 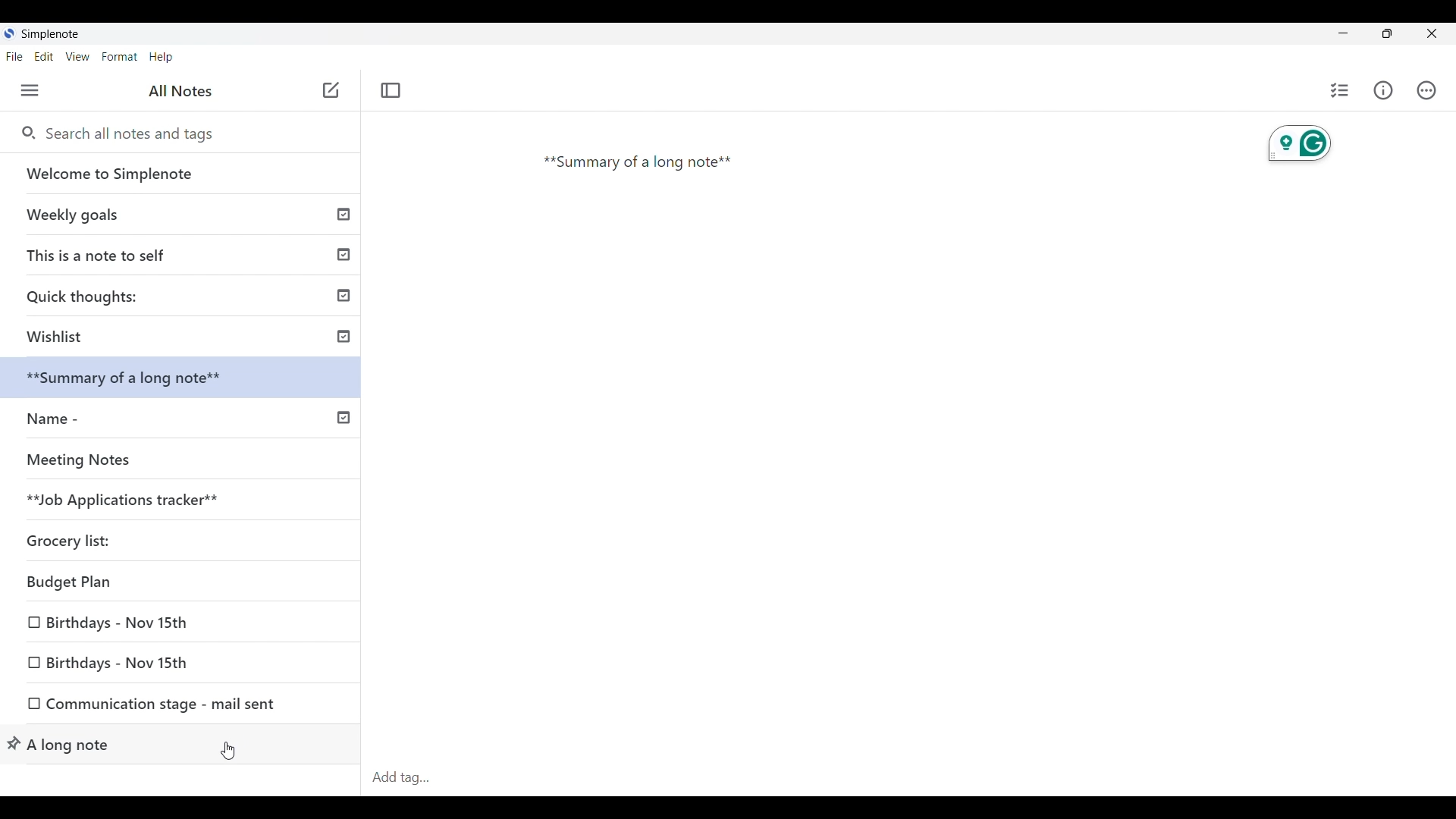 I want to click on Summary of a long note, so click(x=642, y=165).